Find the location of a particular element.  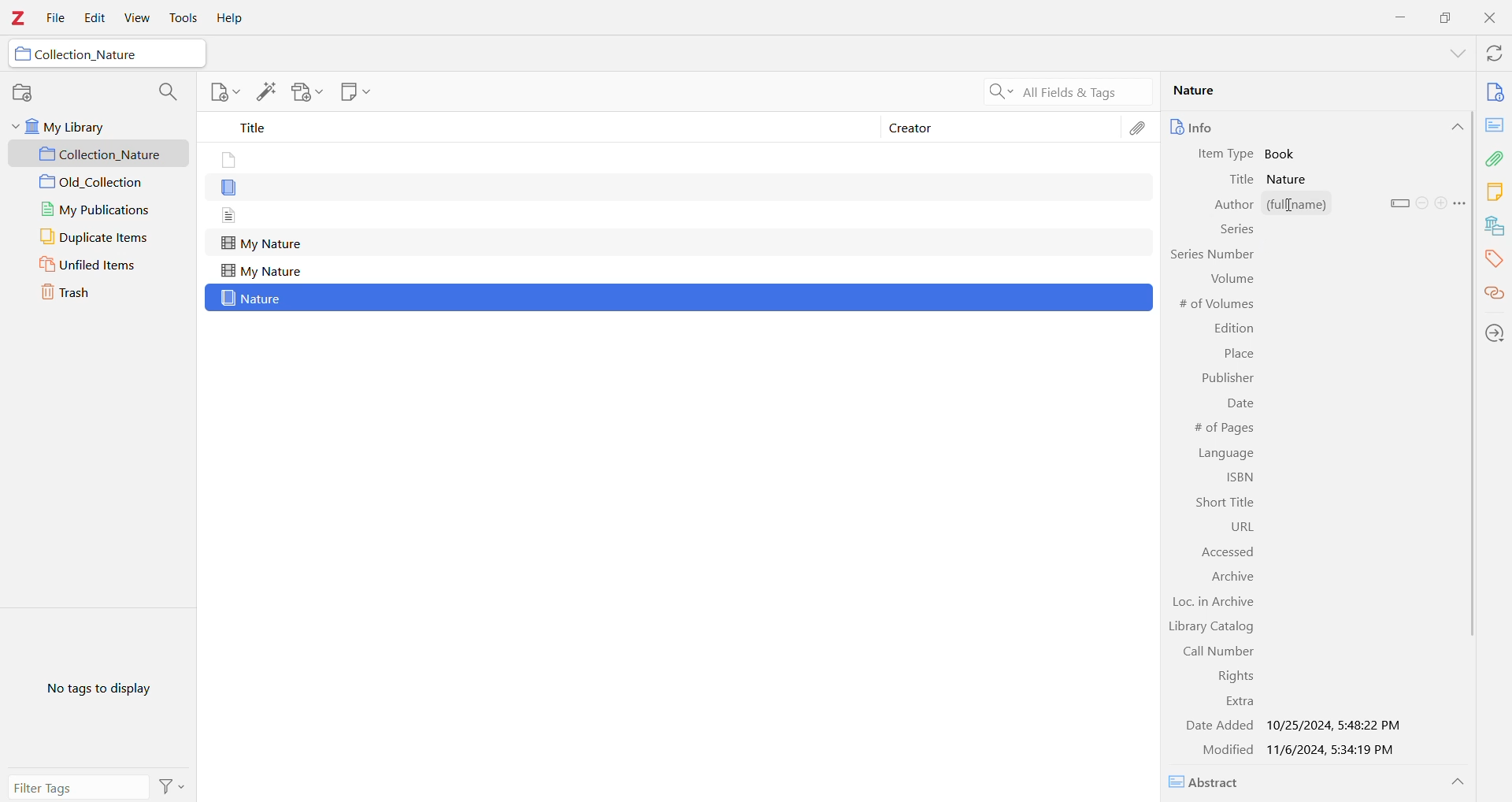

item without title  is located at coordinates (230, 189).